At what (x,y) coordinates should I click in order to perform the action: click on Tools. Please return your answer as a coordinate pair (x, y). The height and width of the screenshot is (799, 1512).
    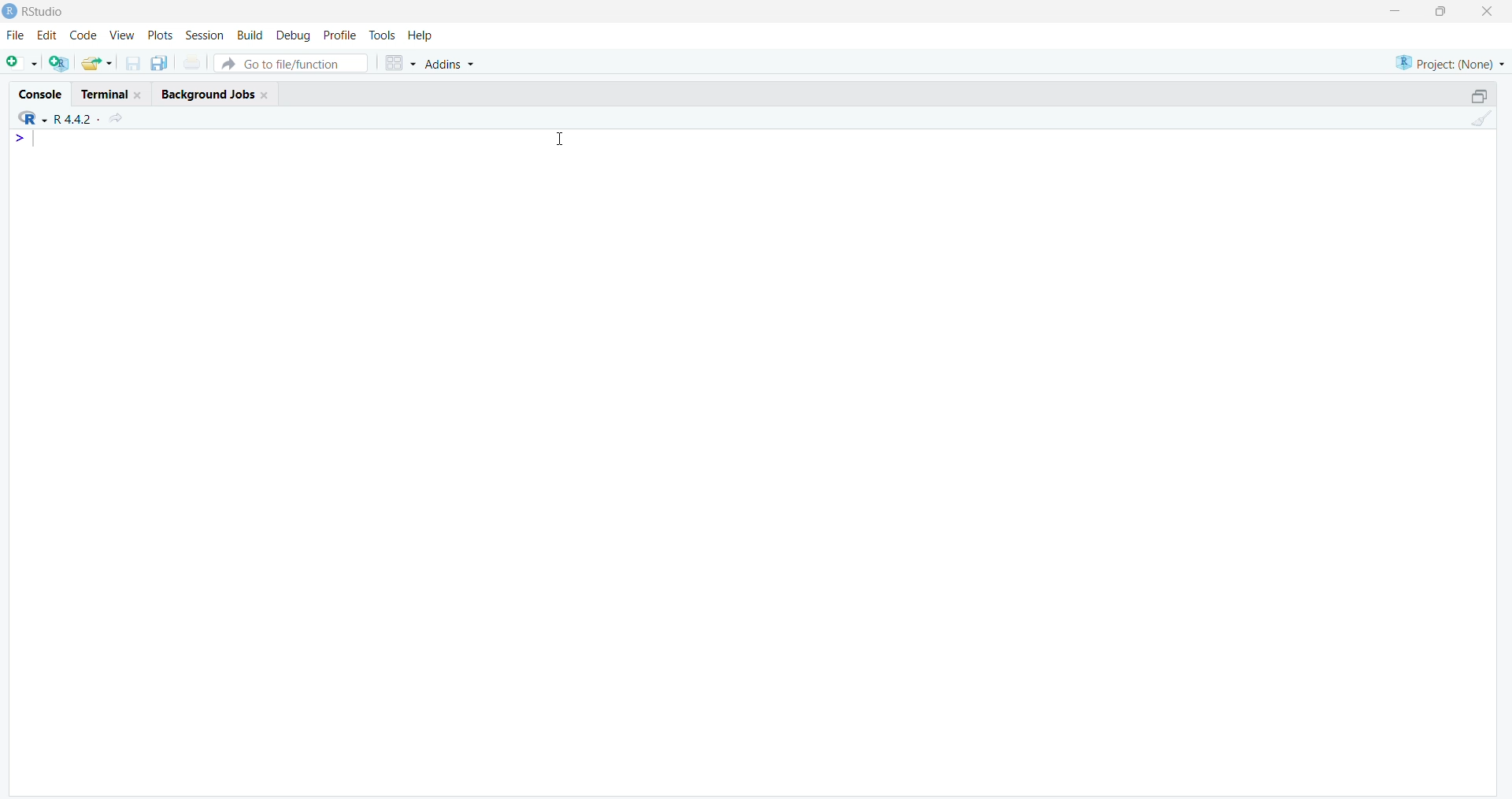
    Looking at the image, I should click on (383, 35).